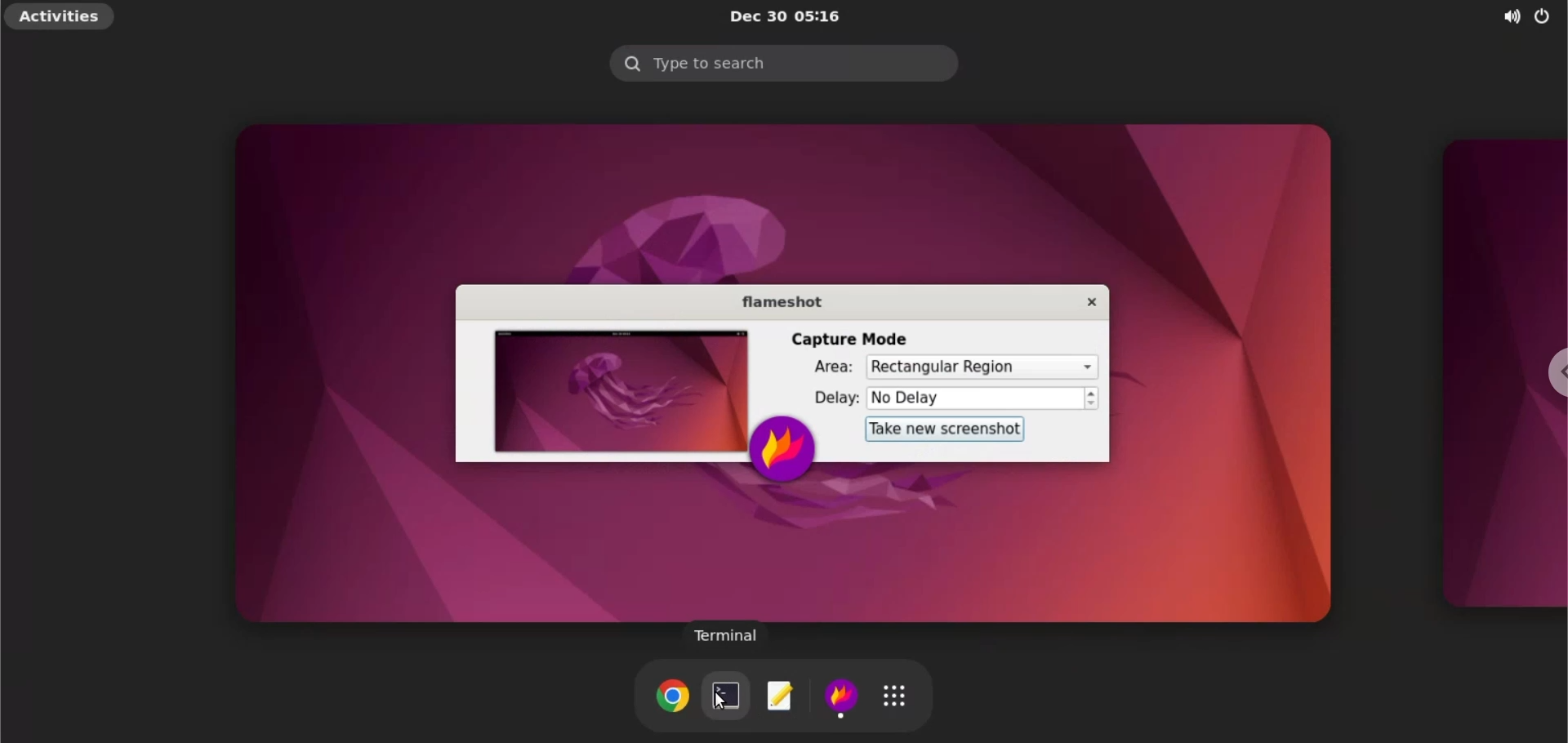 Image resolution: width=1568 pixels, height=743 pixels. I want to click on cursor, so click(721, 701).